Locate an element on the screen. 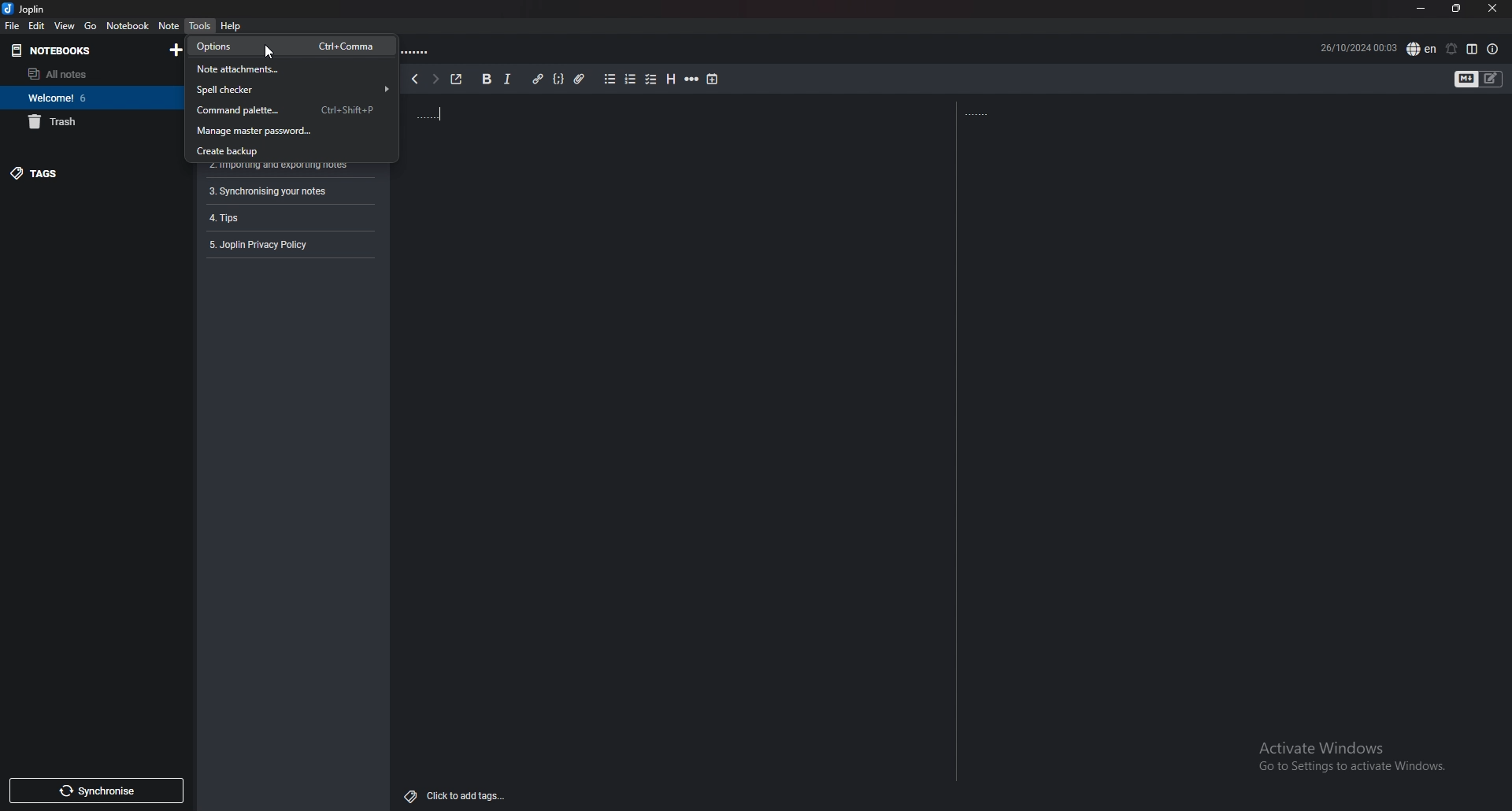 The width and height of the screenshot is (1512, 811). back is located at coordinates (413, 79).